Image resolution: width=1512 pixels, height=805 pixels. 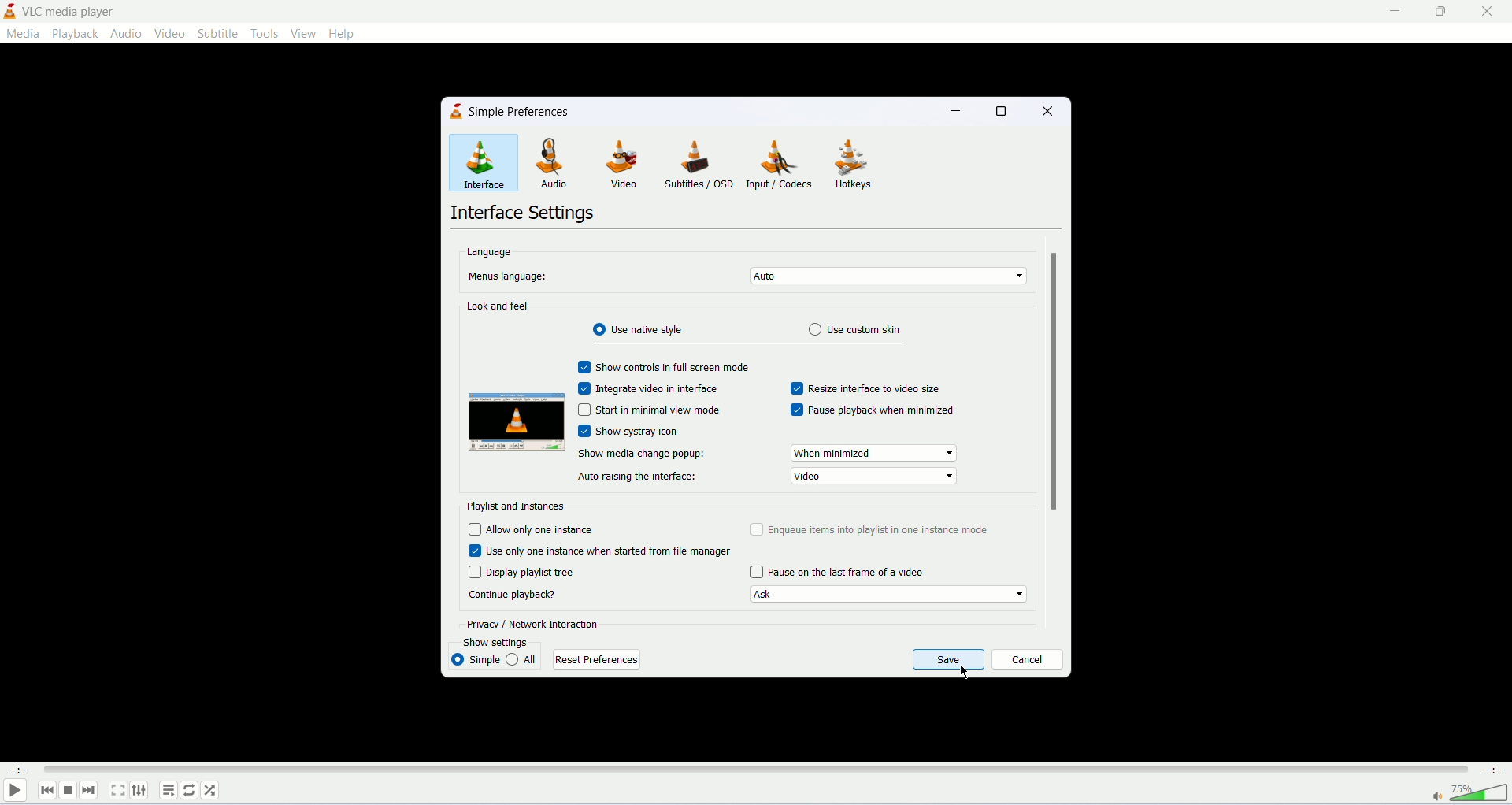 What do you see at coordinates (639, 330) in the screenshot?
I see `use native style` at bounding box center [639, 330].